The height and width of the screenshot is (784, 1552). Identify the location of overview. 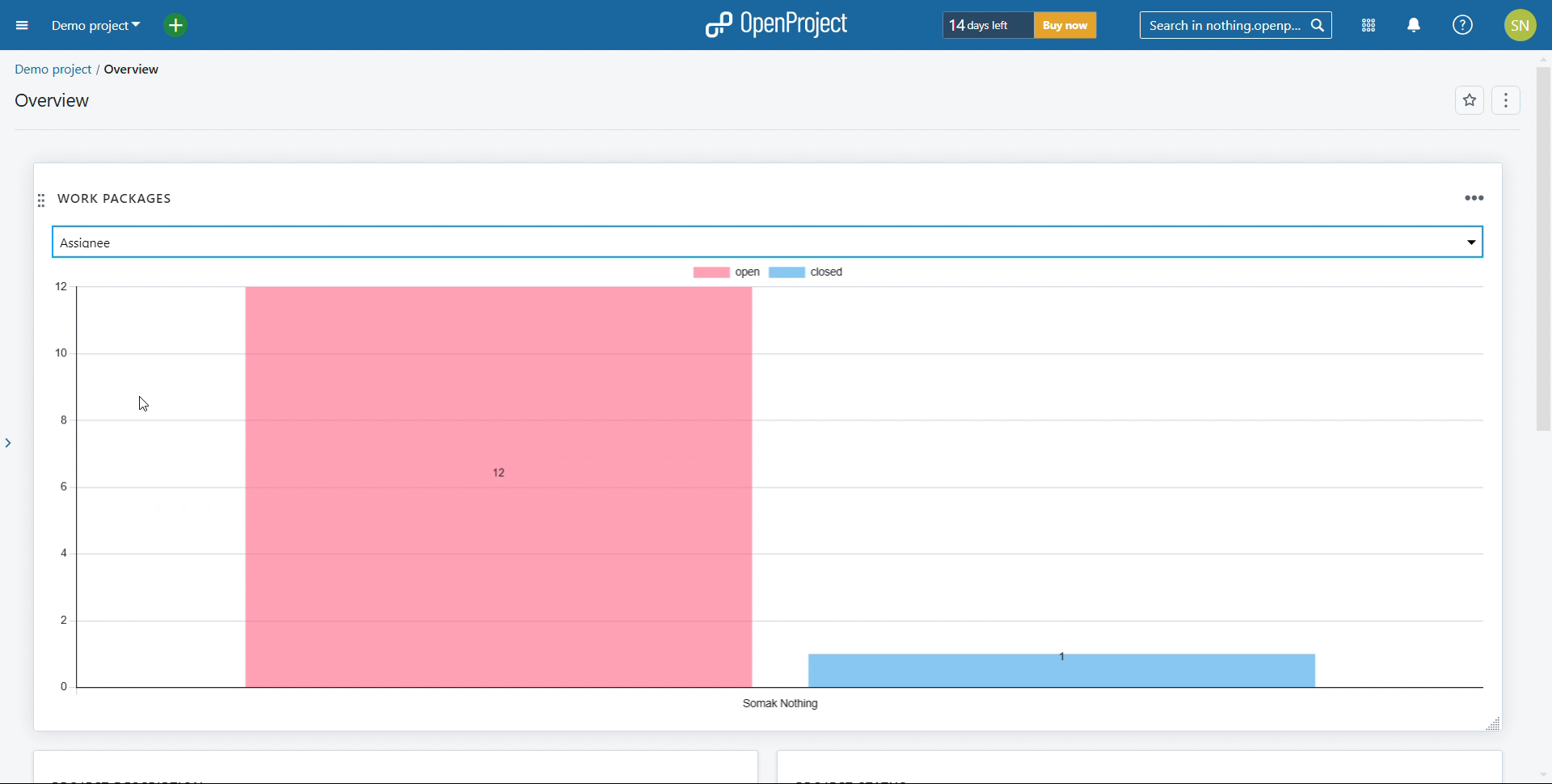
(55, 99).